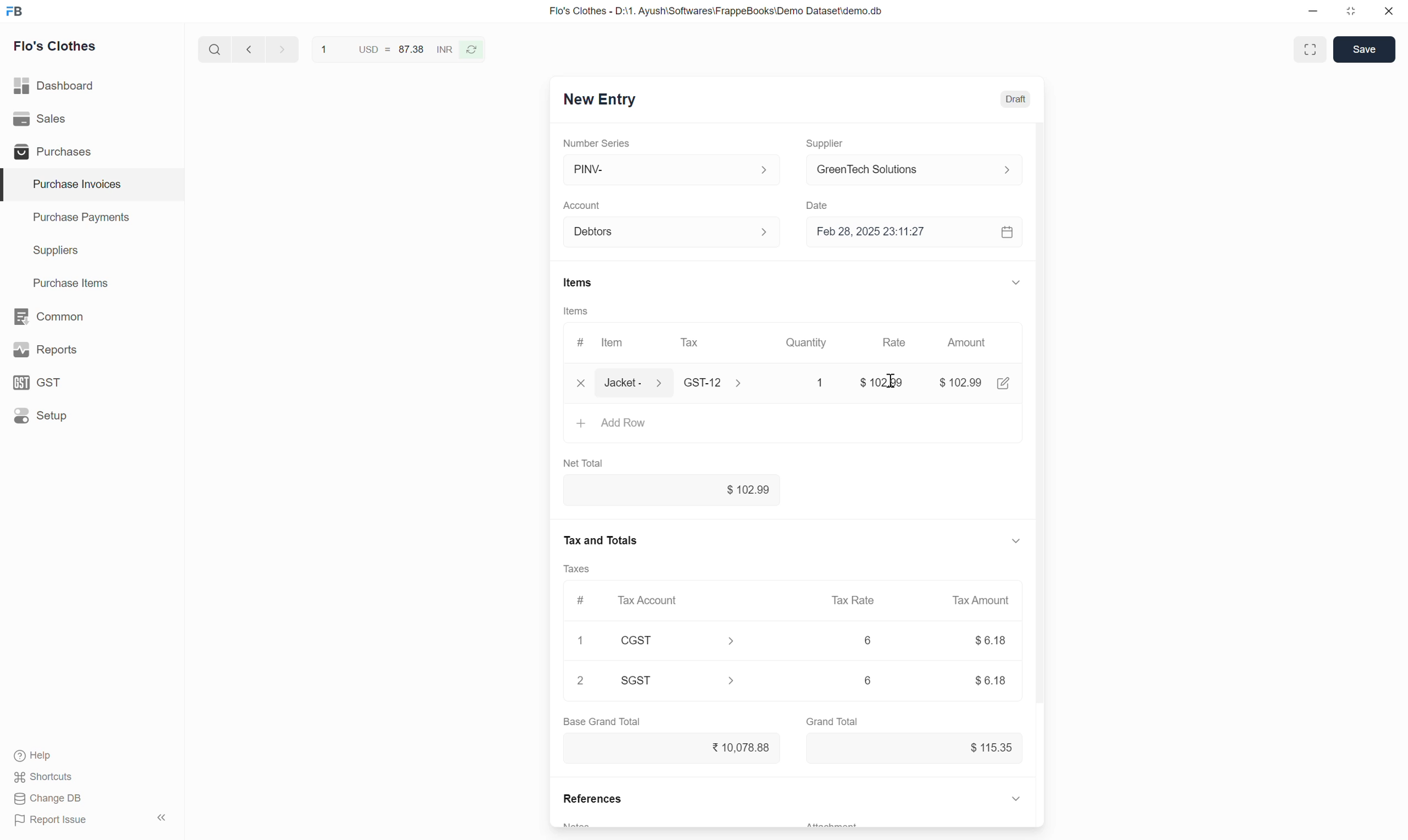 This screenshot has width=1408, height=840. I want to click on Account, so click(583, 206).